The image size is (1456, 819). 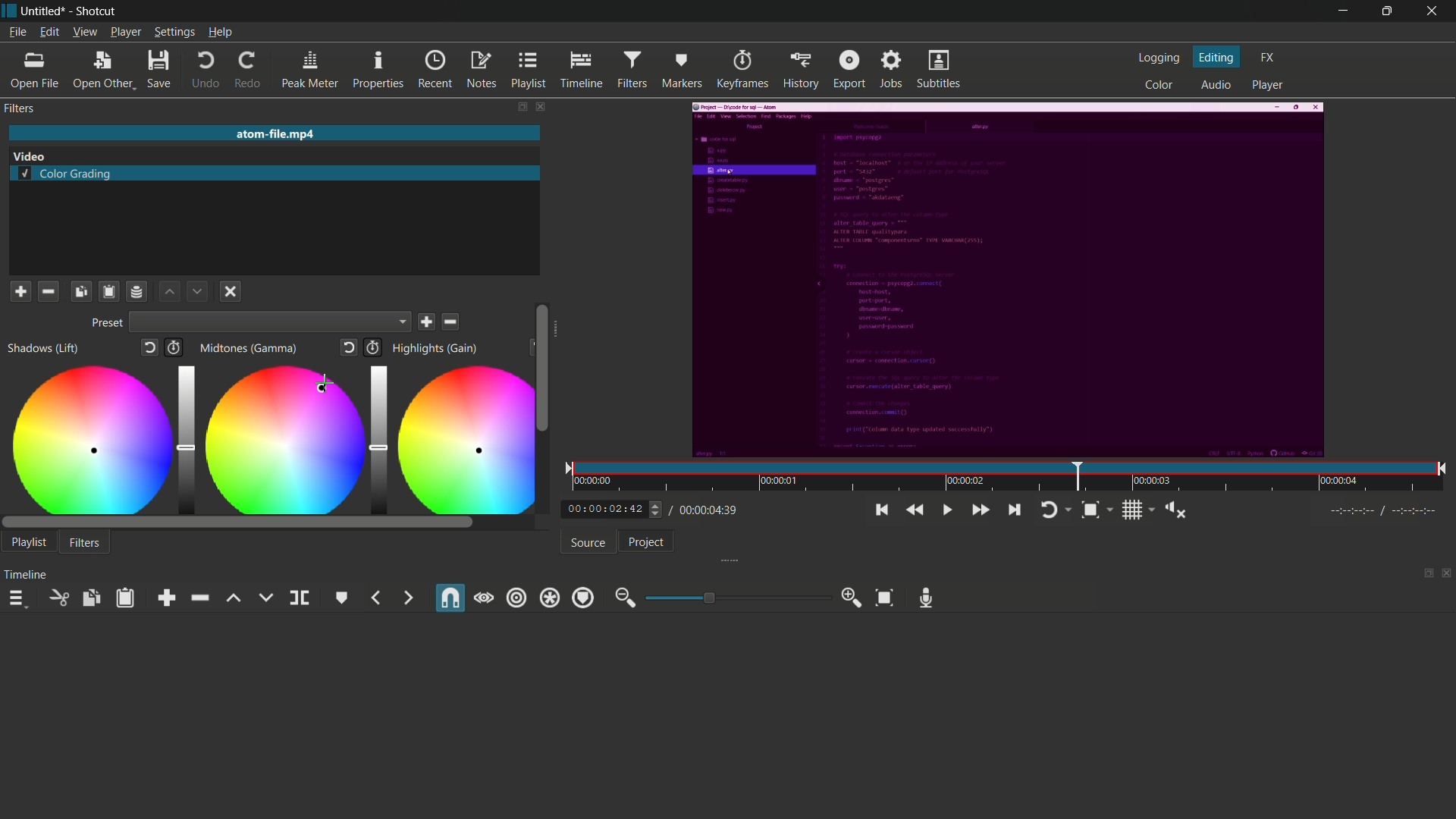 I want to click on open other, so click(x=102, y=72).